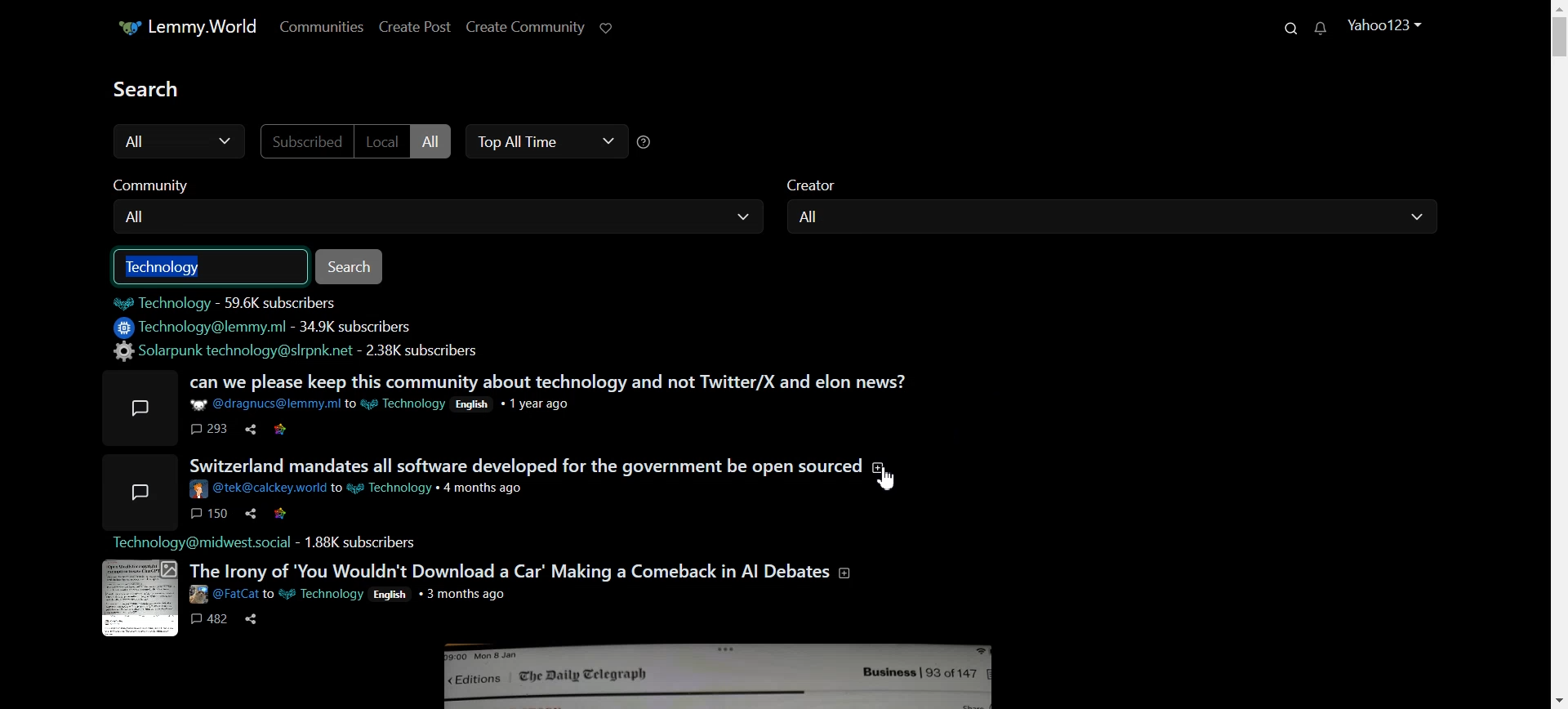 This screenshot has width=1568, height=709. Describe the element at coordinates (348, 595) in the screenshot. I see `Post details` at that location.